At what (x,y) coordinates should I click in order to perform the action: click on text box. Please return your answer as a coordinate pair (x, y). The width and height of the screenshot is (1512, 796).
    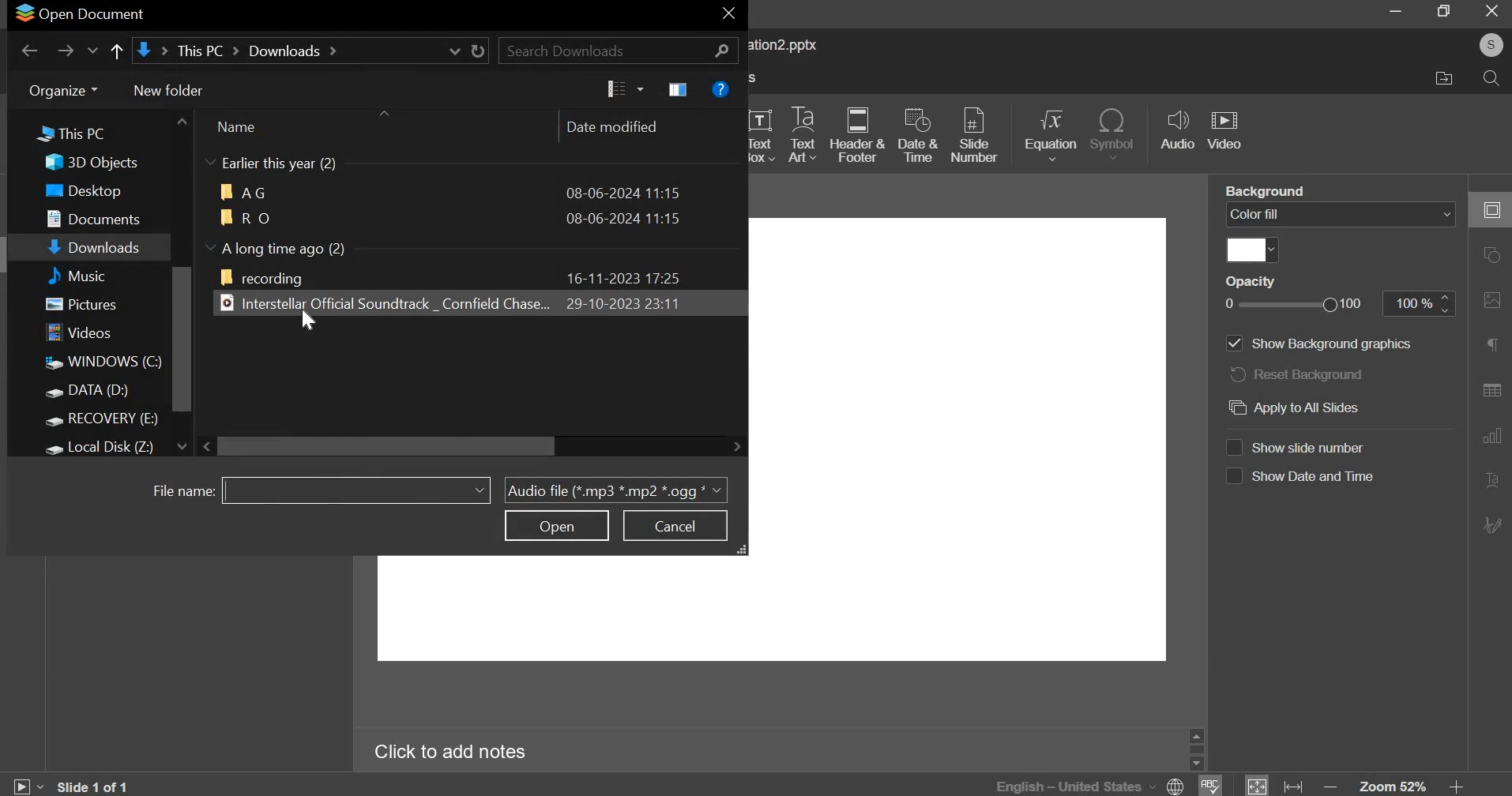
    Looking at the image, I should click on (763, 133).